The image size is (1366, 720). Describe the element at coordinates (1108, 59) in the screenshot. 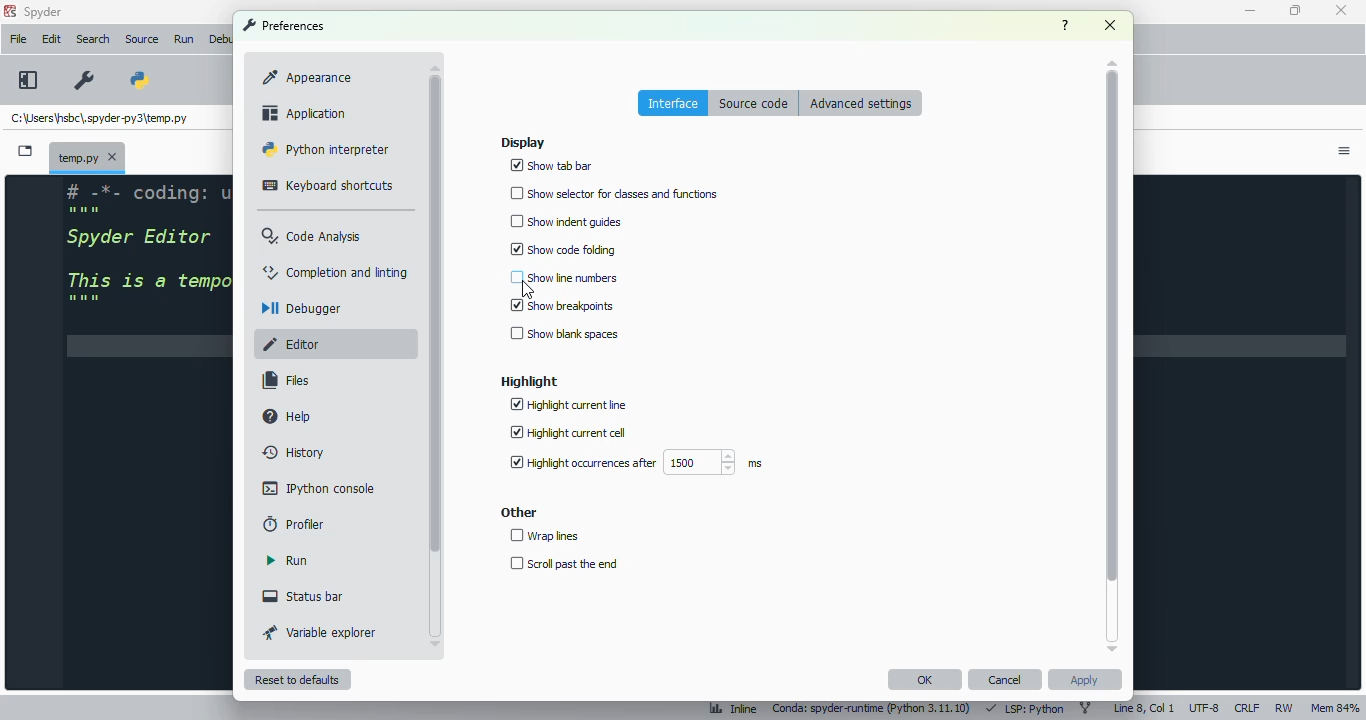

I see `Up` at that location.